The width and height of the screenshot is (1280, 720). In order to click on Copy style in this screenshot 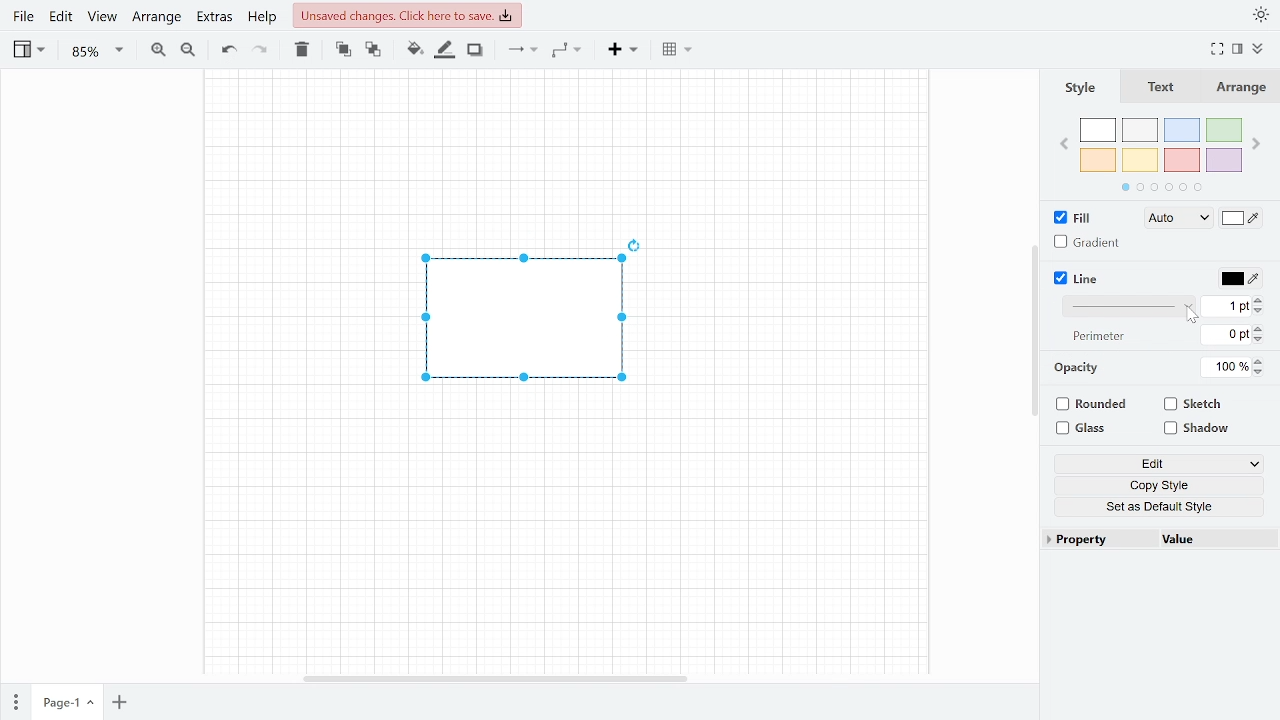, I will do `click(1162, 484)`.